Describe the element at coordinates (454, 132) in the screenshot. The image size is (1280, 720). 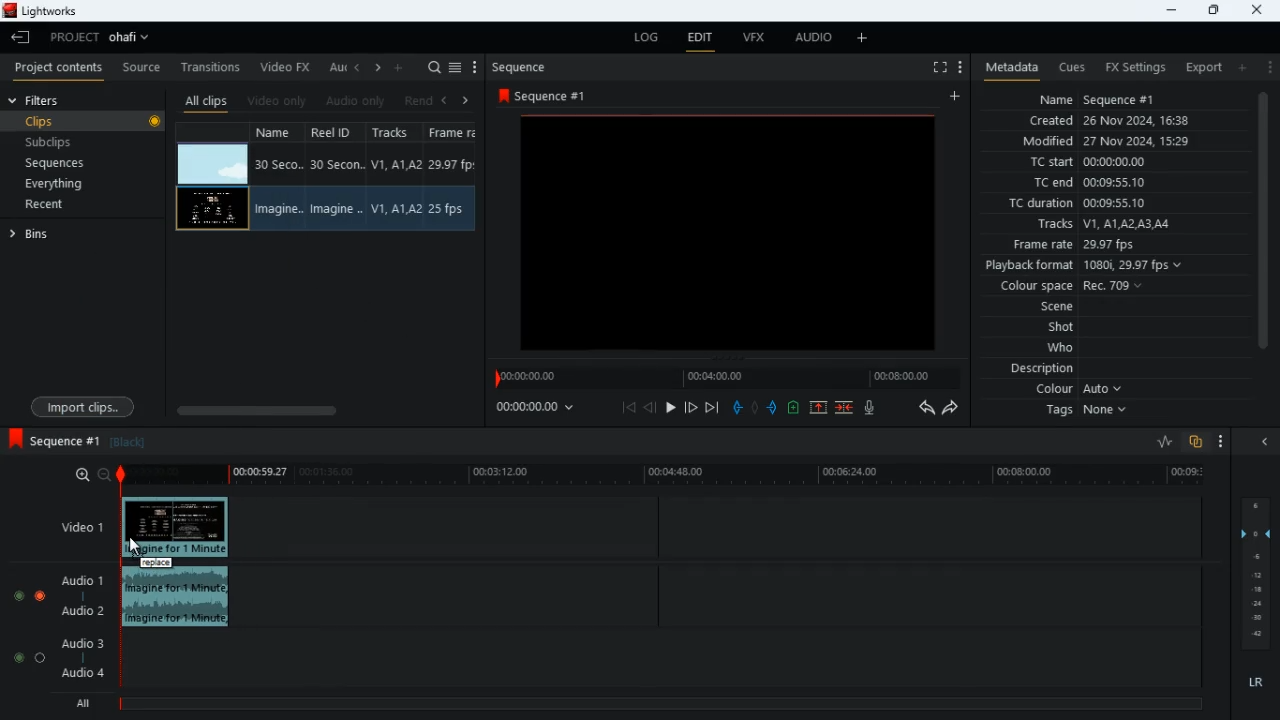
I see `fps` at that location.